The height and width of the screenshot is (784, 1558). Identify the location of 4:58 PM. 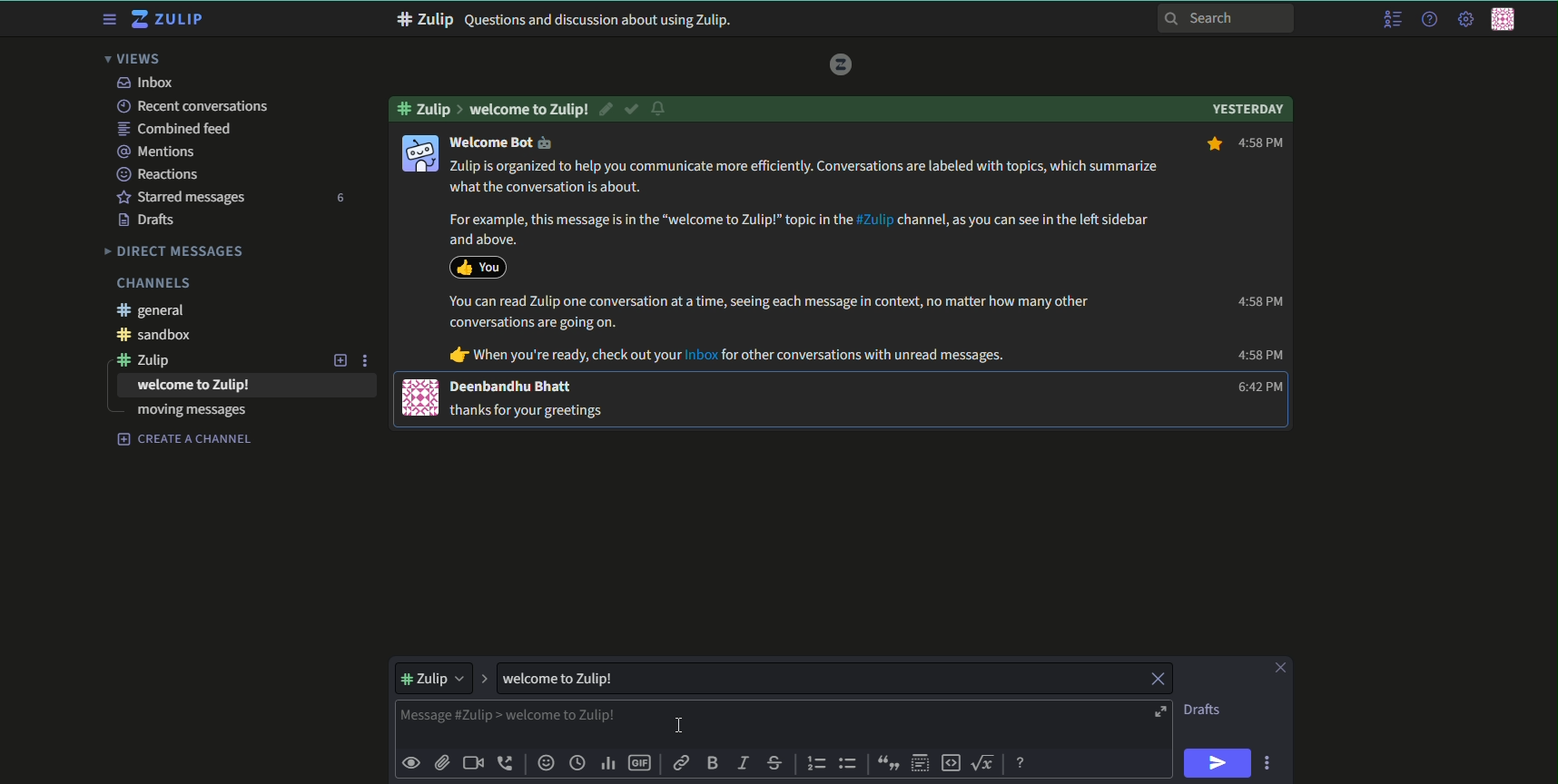
(1245, 144).